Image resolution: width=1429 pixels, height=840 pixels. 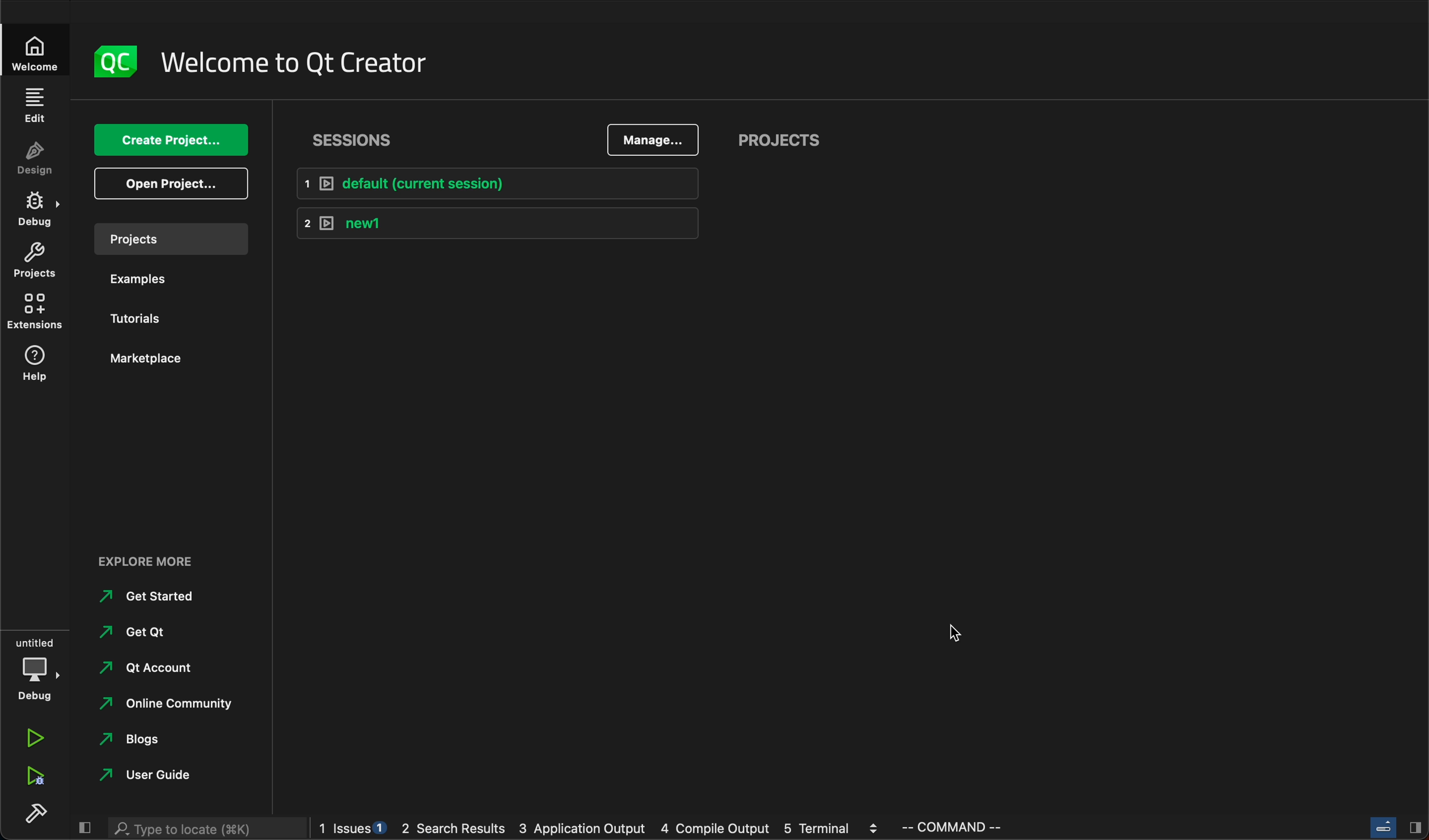 What do you see at coordinates (40, 311) in the screenshot?
I see `extensions` at bounding box center [40, 311].